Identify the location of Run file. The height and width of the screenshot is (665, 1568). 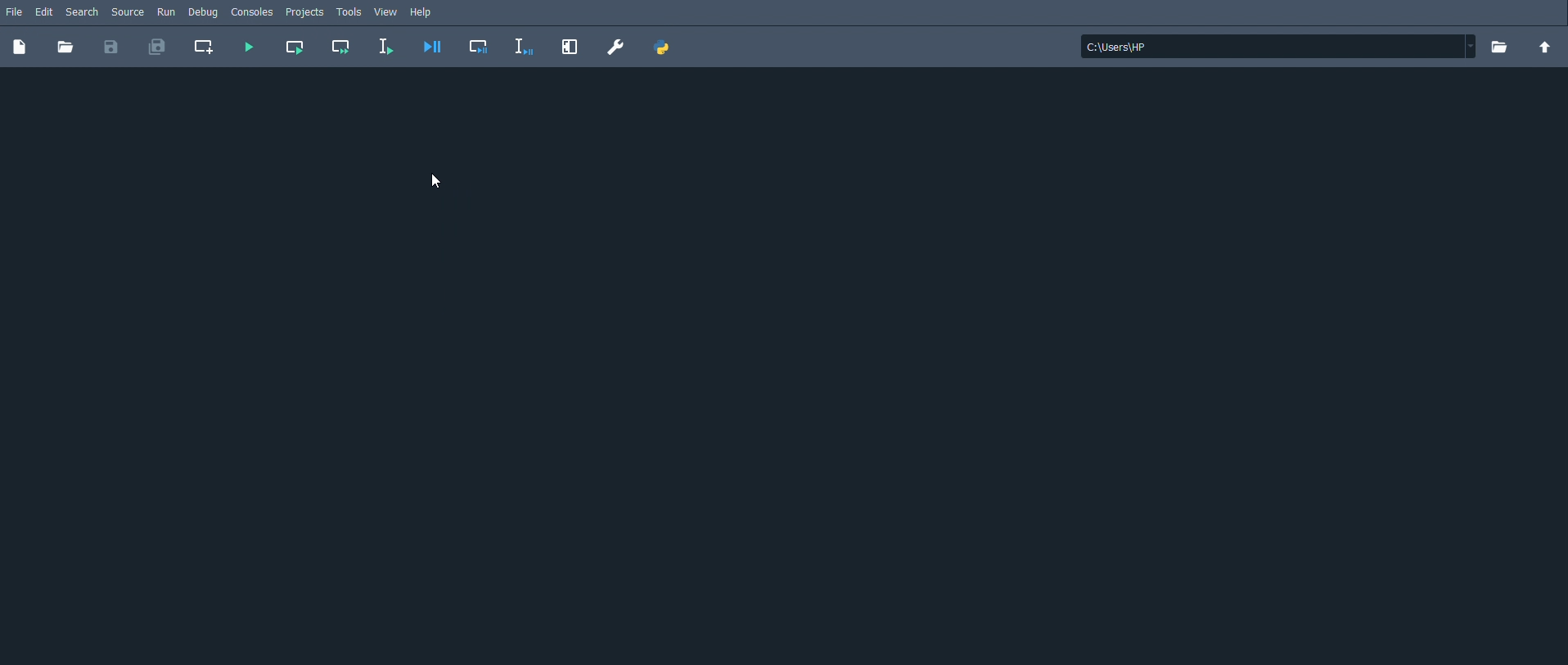
(246, 47).